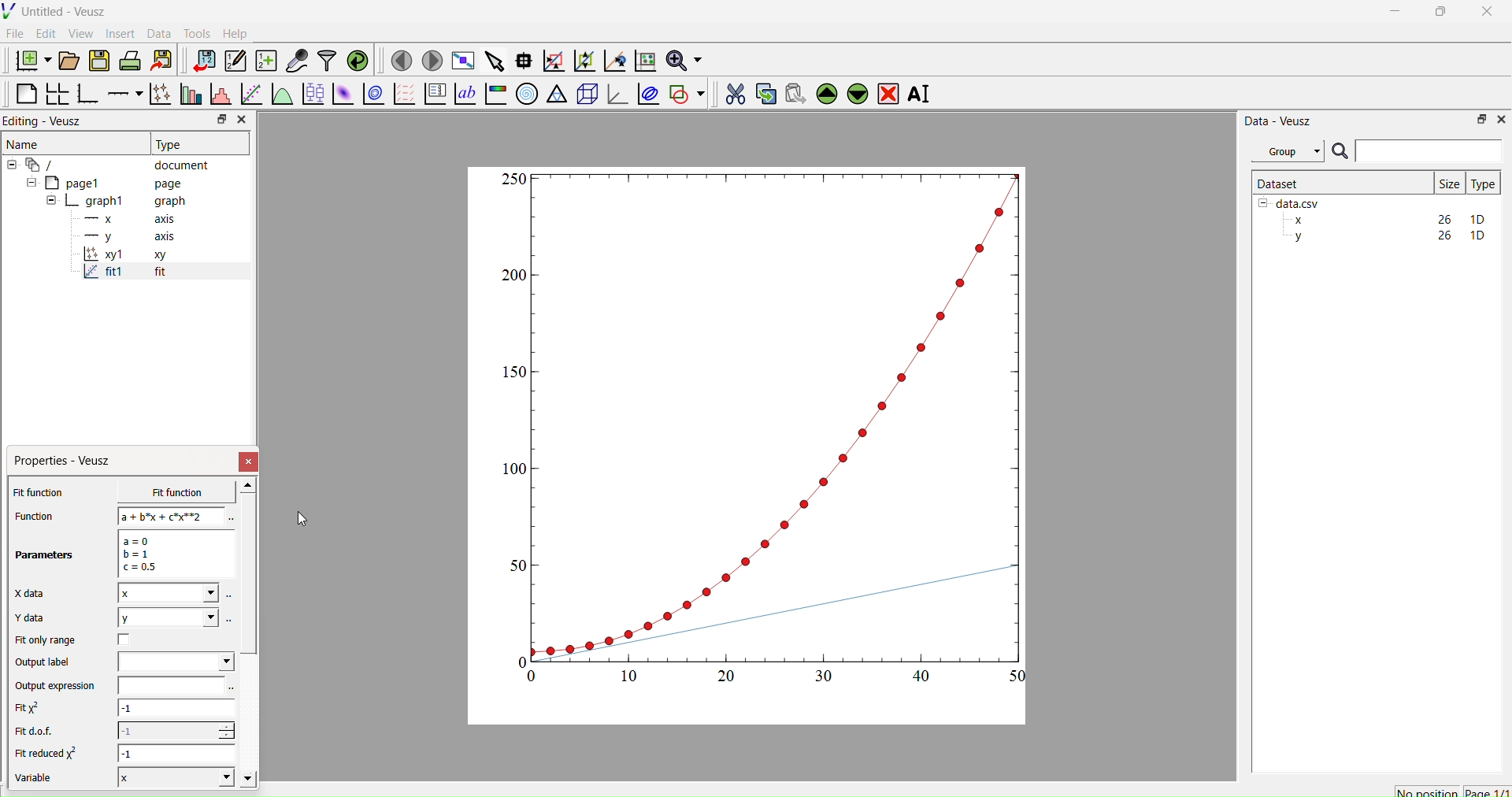  I want to click on Output label, so click(46, 662).